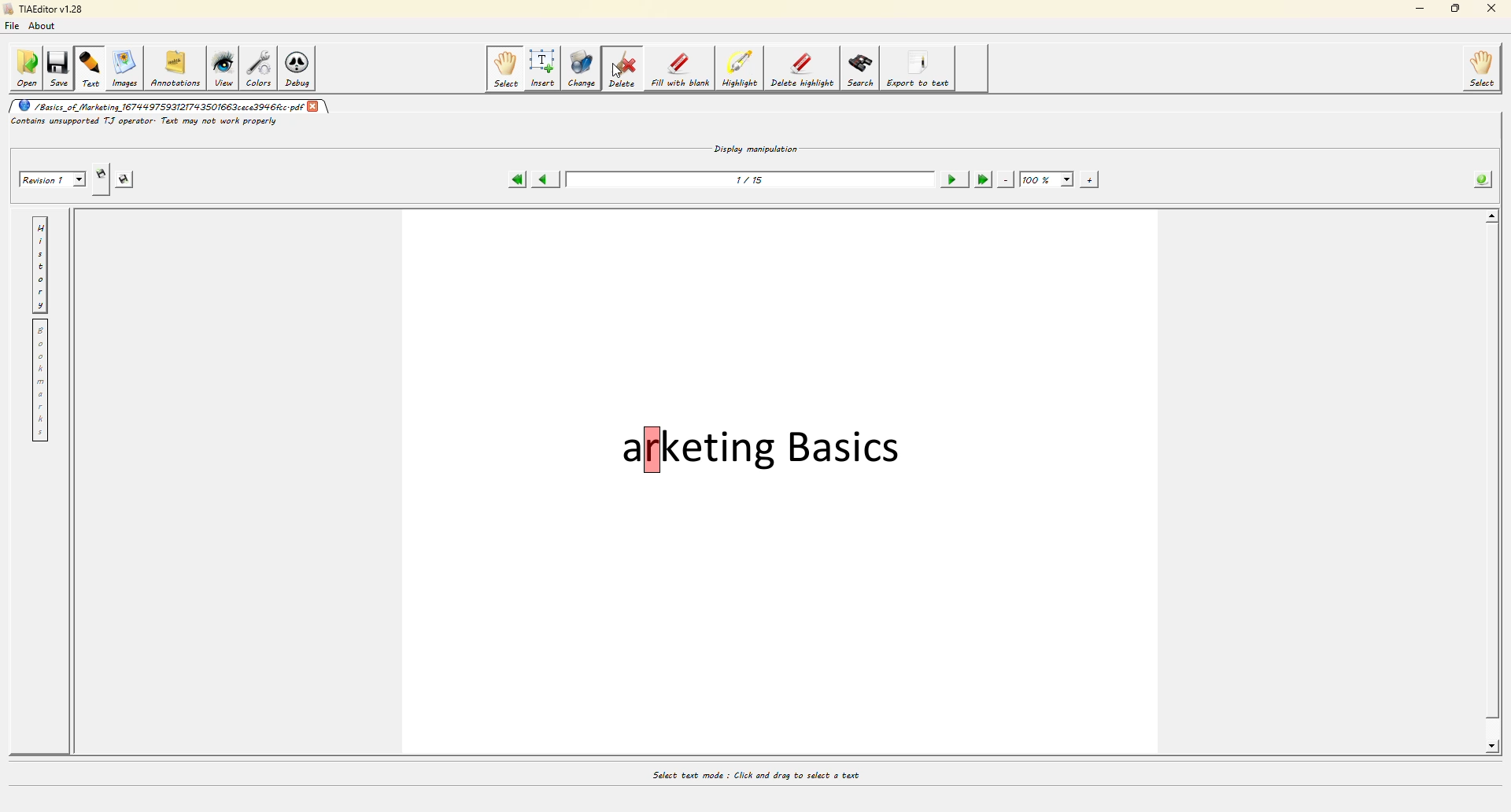  Describe the element at coordinates (951, 179) in the screenshot. I see `next page` at that location.